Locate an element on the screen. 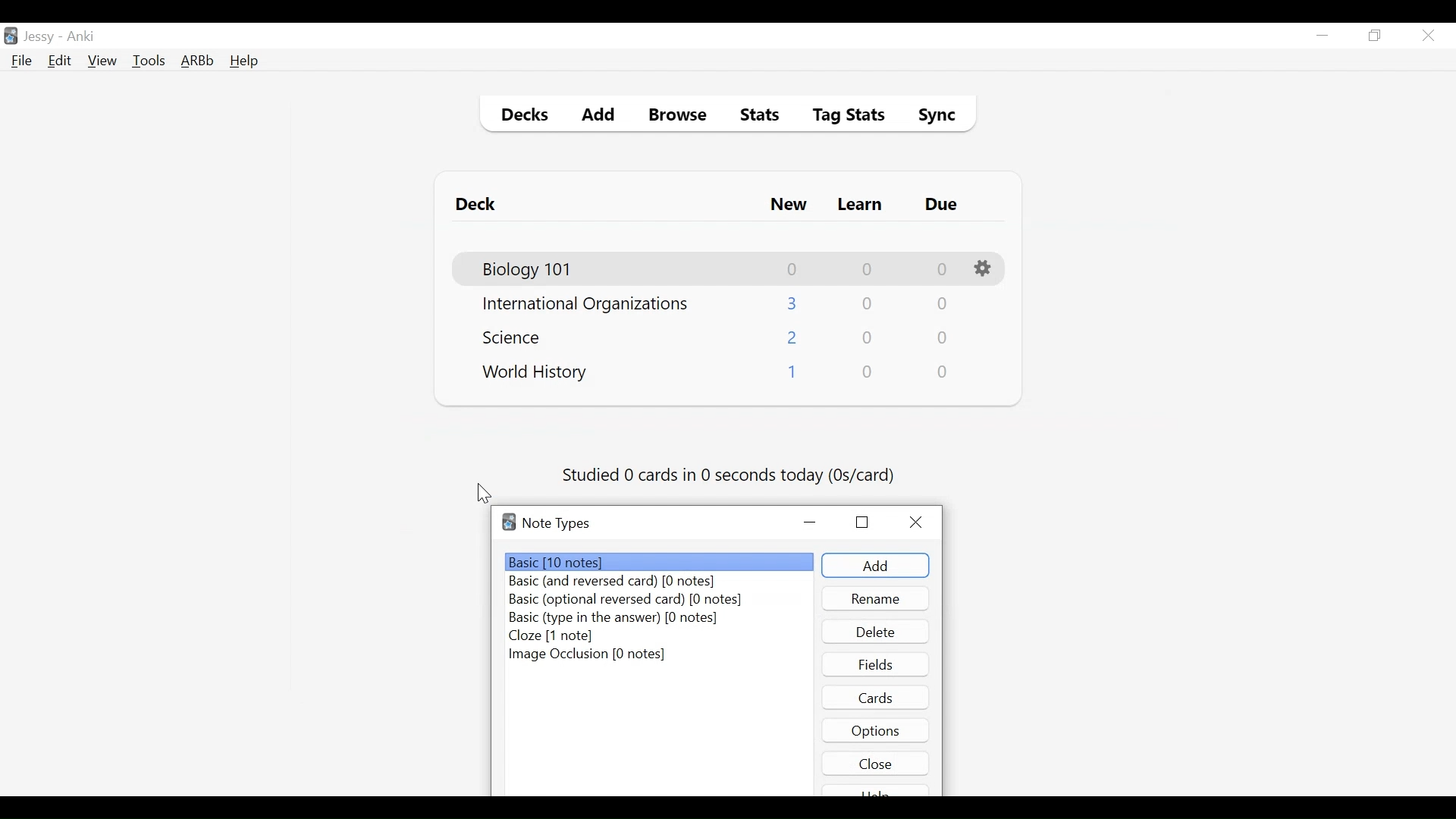   is located at coordinates (868, 372).